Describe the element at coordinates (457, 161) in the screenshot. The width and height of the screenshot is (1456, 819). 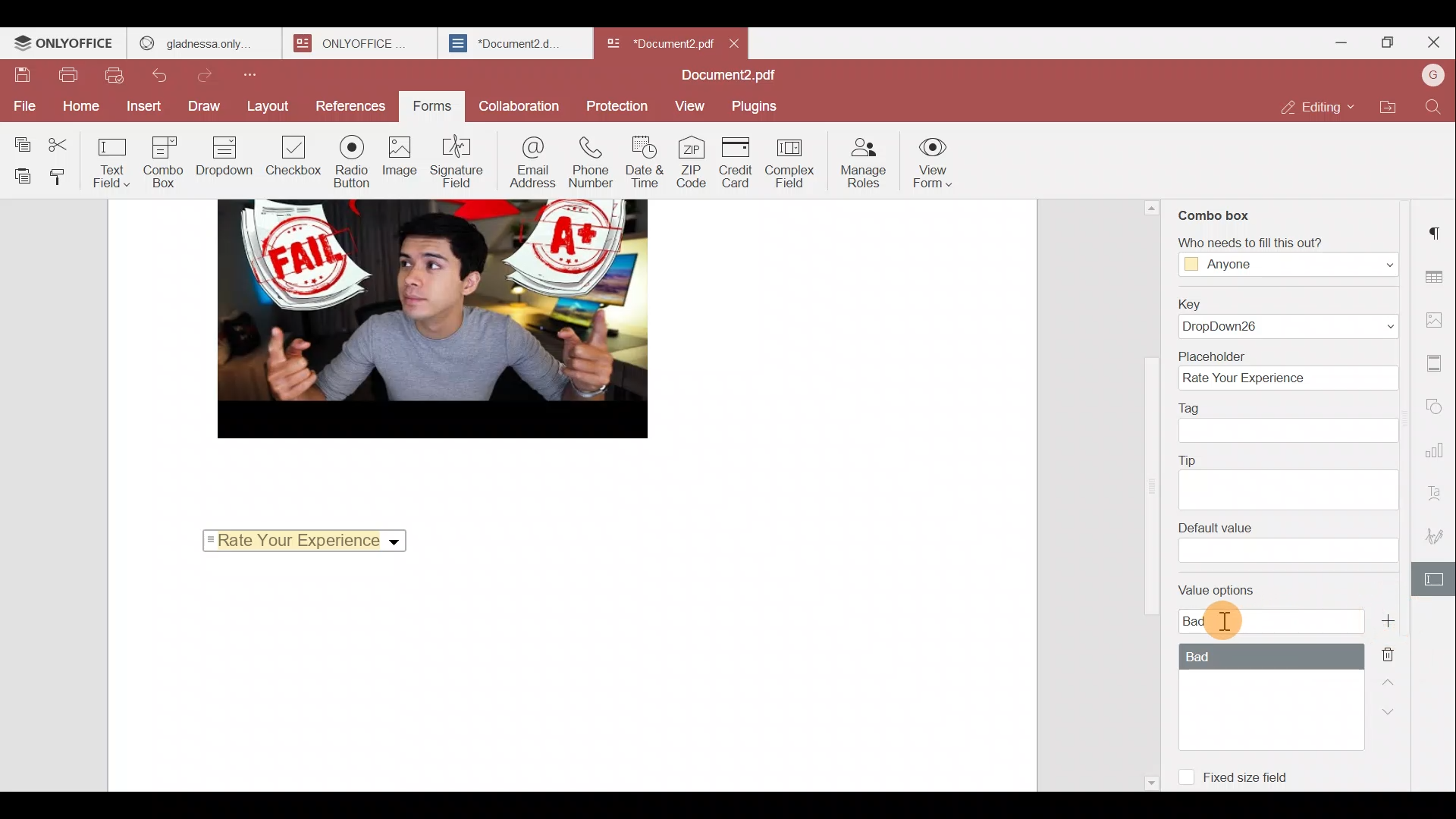
I see `Signature field` at that location.